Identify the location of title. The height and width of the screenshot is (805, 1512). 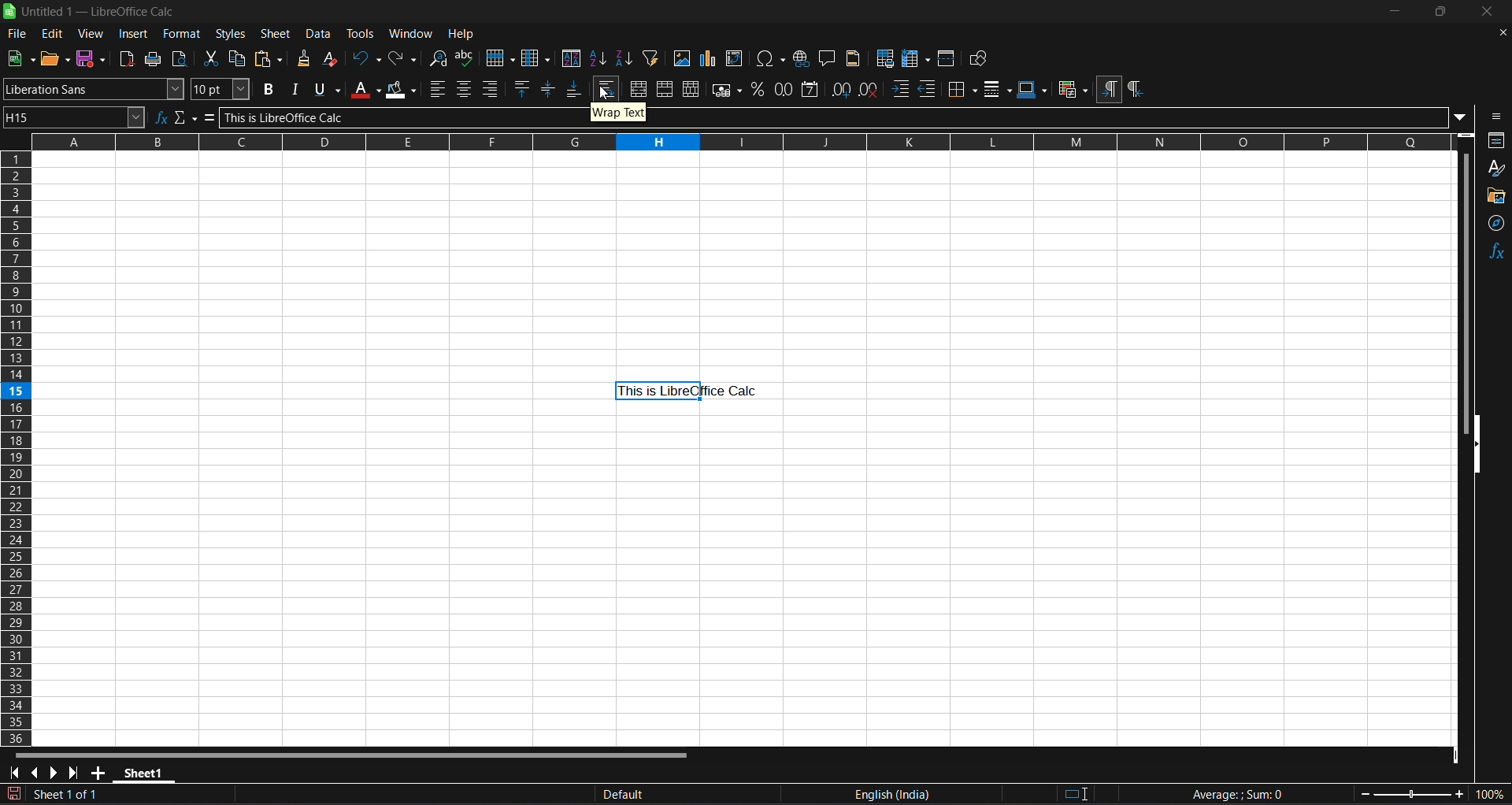
(102, 11).